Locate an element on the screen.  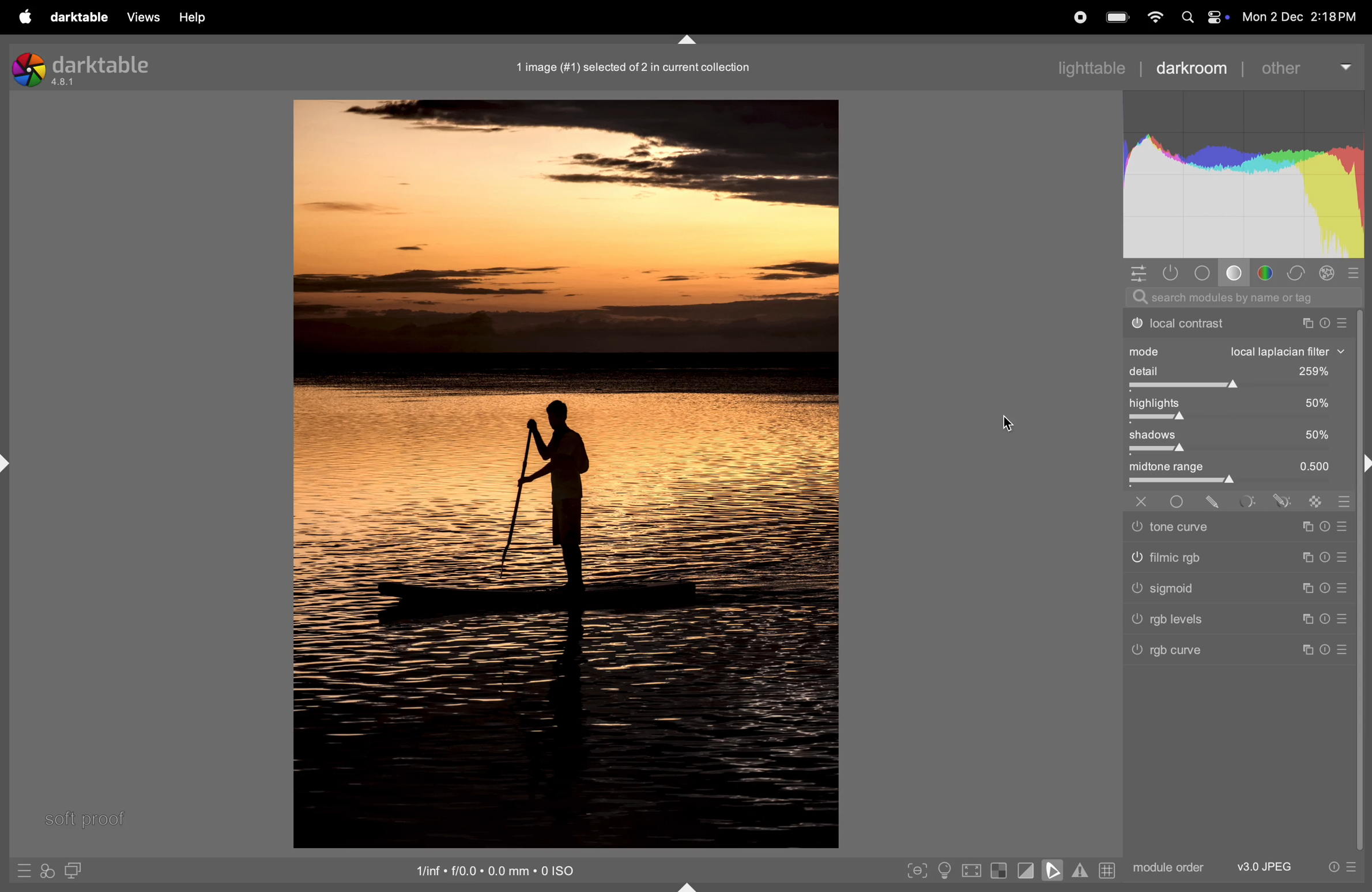
correct is located at coordinates (1299, 273).